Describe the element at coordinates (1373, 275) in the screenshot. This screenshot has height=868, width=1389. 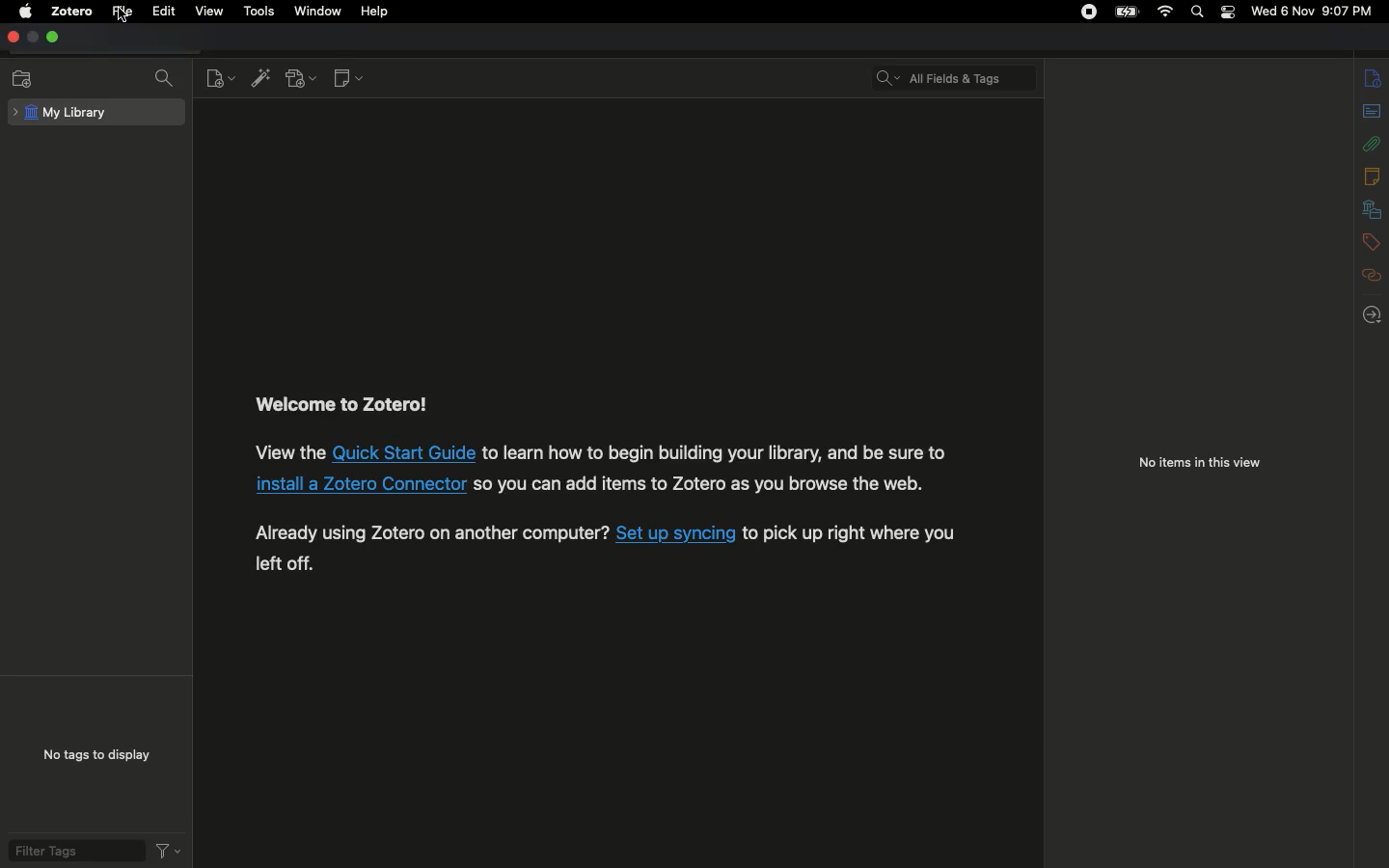
I see `Related` at that location.